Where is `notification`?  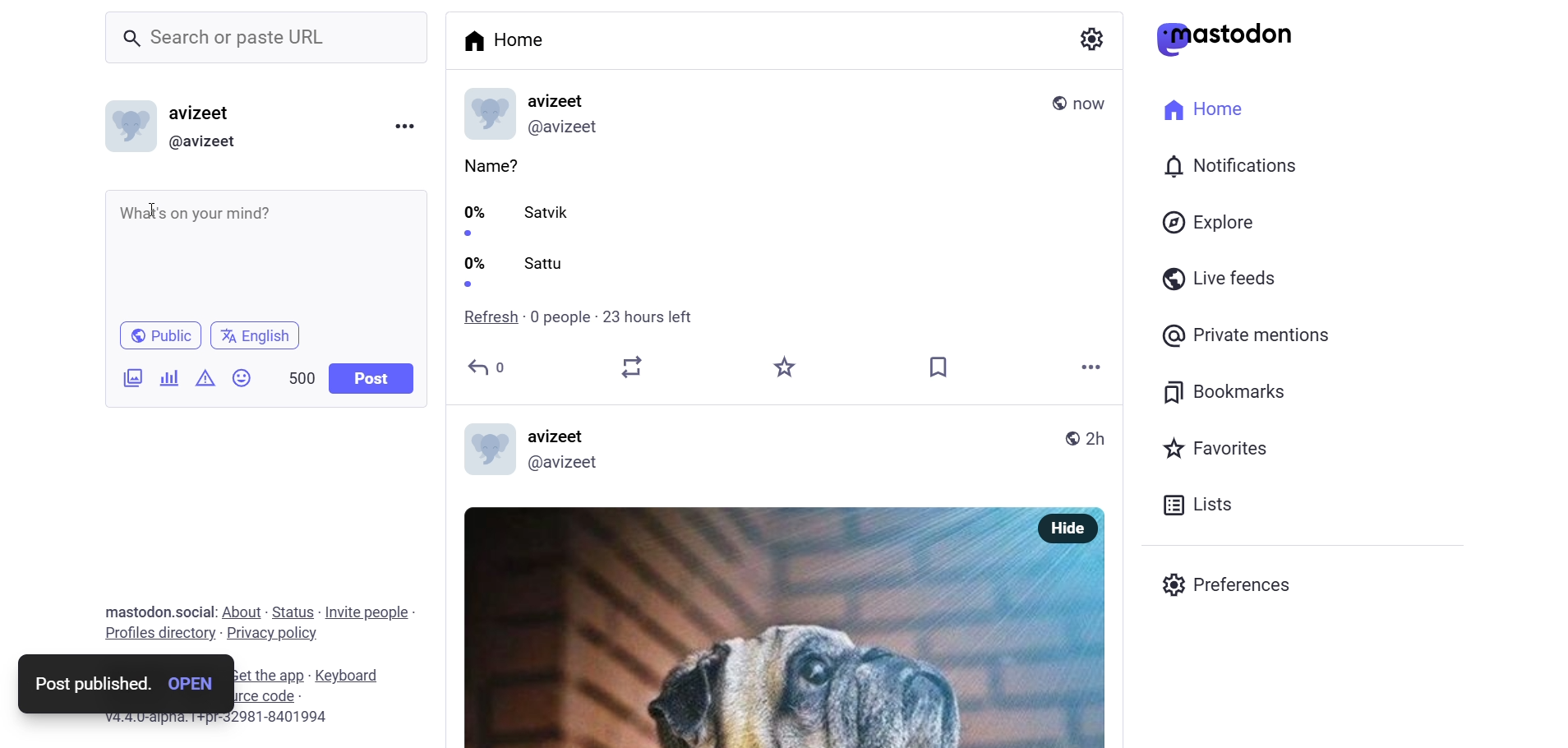
notification is located at coordinates (1228, 168).